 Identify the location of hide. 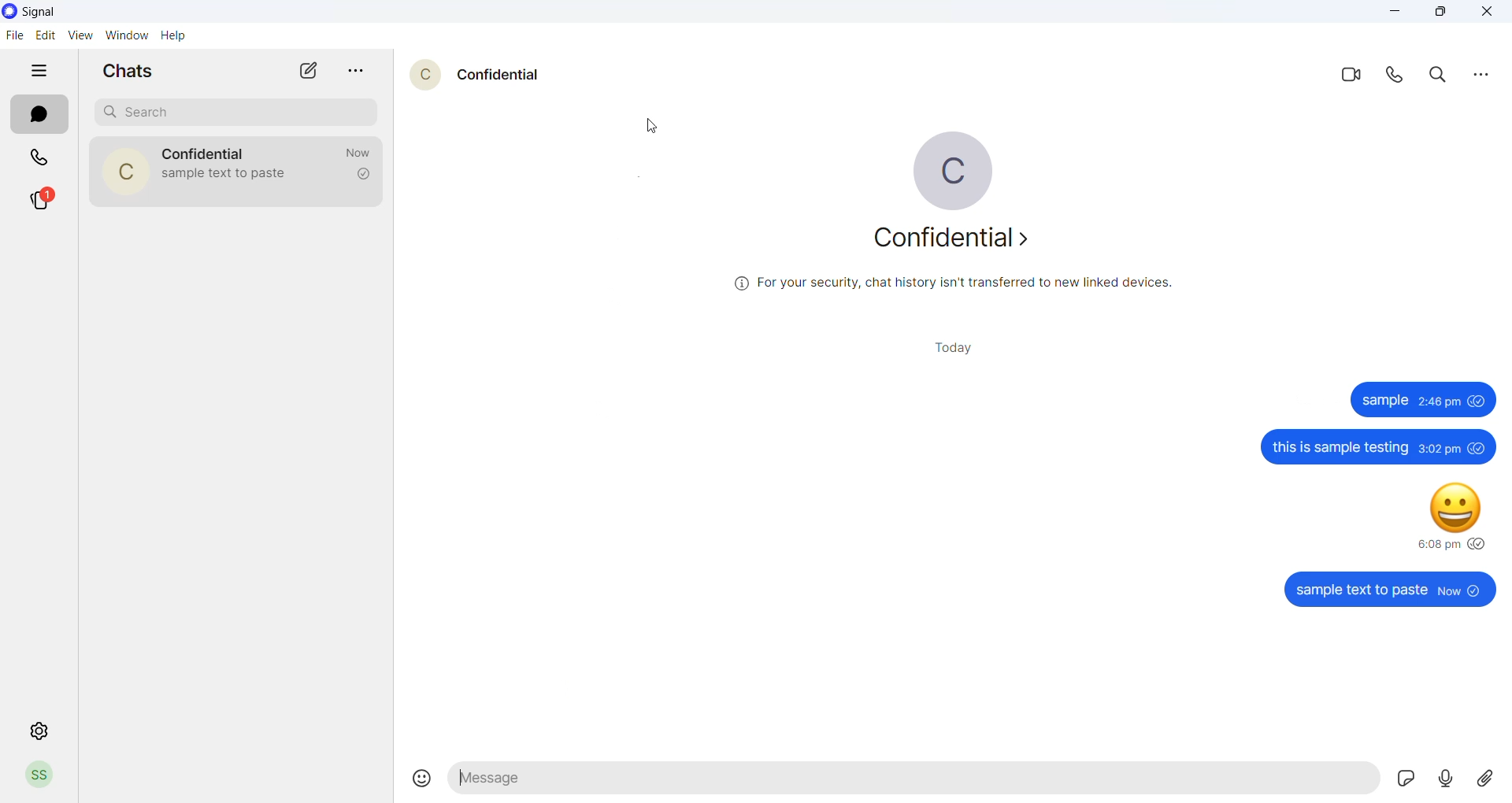
(41, 71).